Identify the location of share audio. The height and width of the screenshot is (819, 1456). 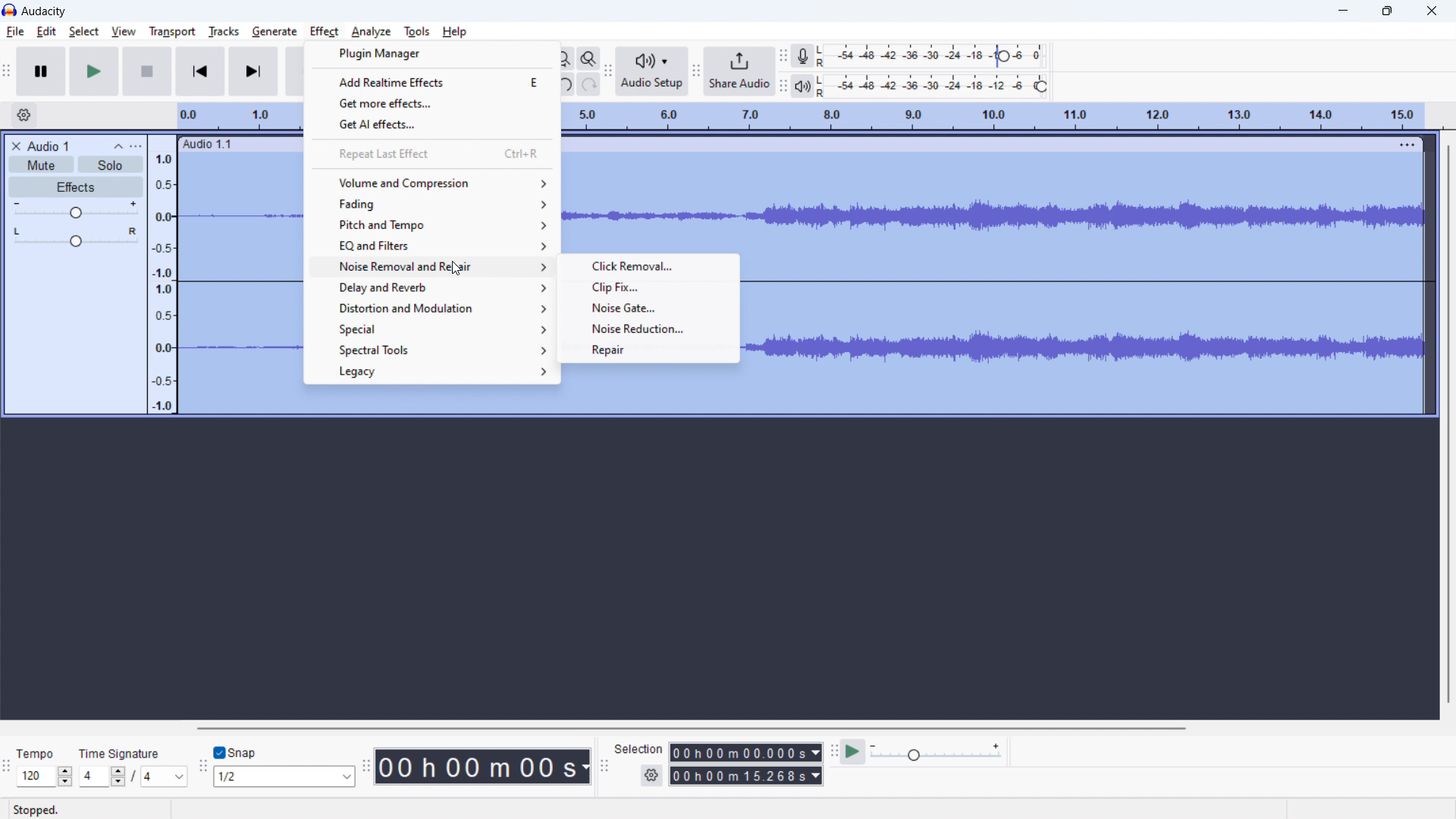
(739, 71).